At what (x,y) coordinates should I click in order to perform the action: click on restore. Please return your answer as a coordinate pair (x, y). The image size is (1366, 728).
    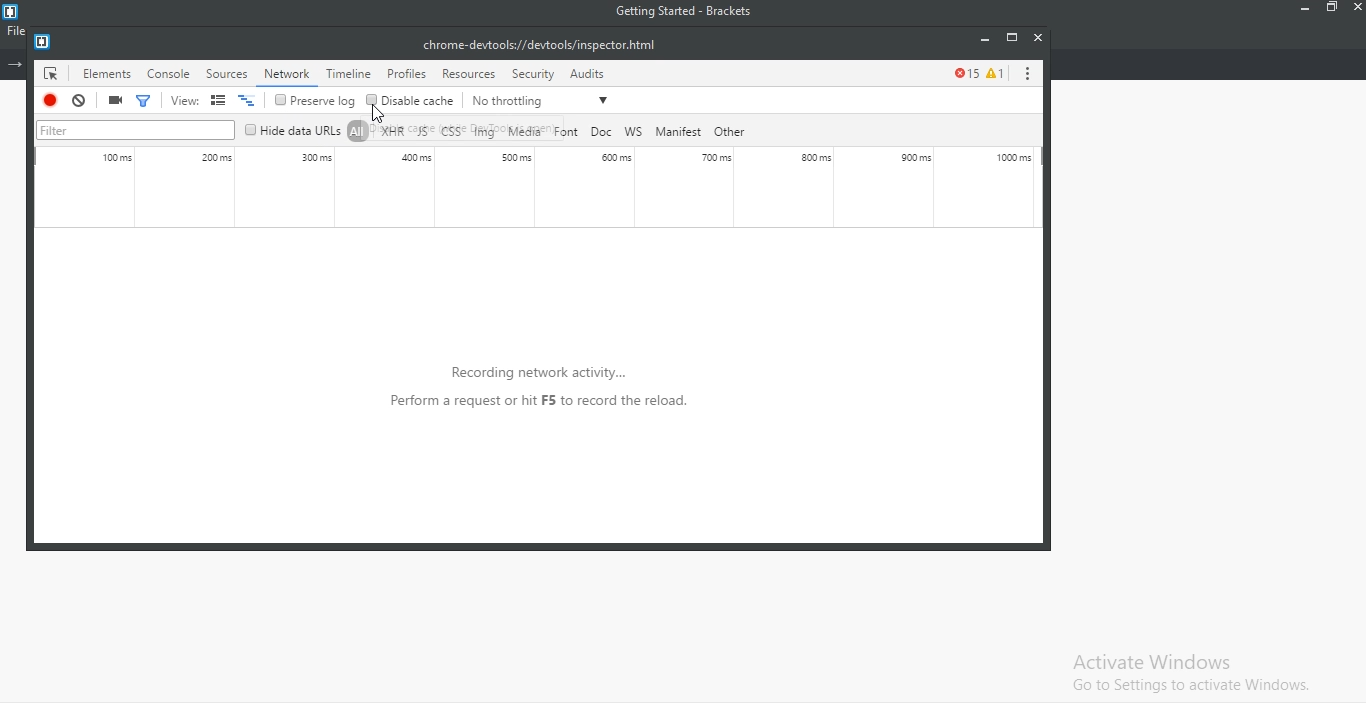
    Looking at the image, I should click on (1011, 36).